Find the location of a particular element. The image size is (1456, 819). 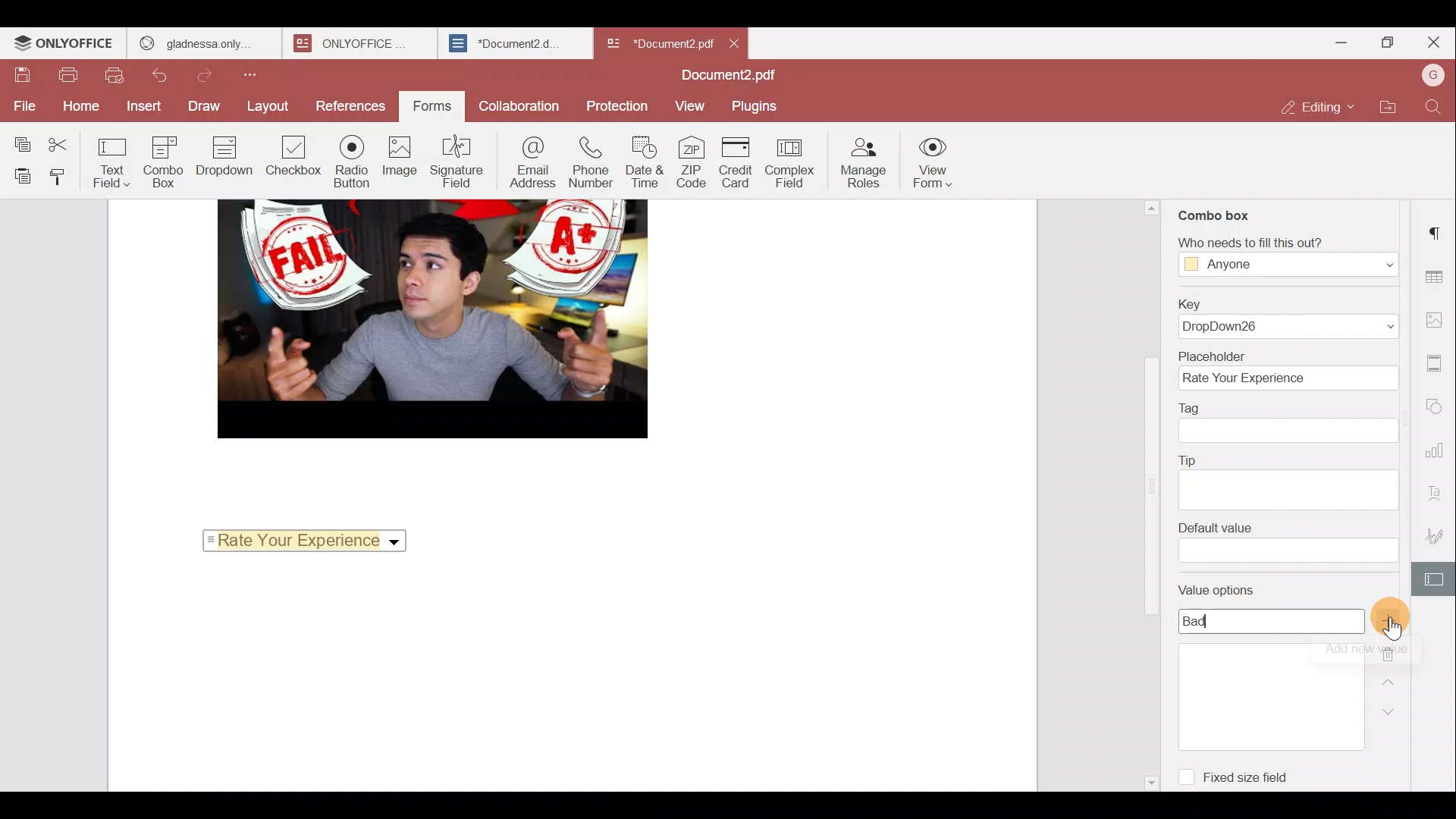

Placeholder is located at coordinates (1286, 369).